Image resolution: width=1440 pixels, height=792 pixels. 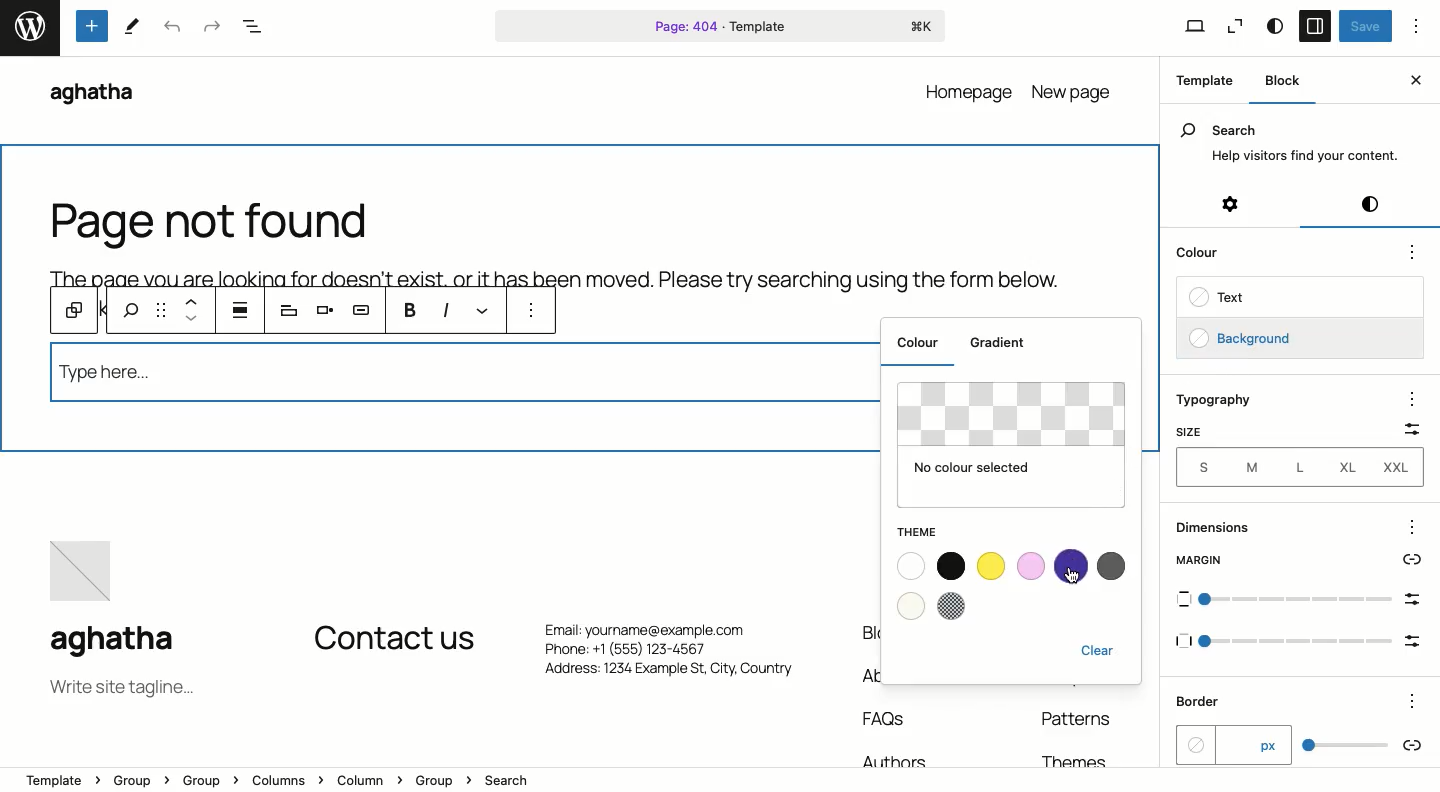 I want to click on Scale, so click(x=1405, y=430).